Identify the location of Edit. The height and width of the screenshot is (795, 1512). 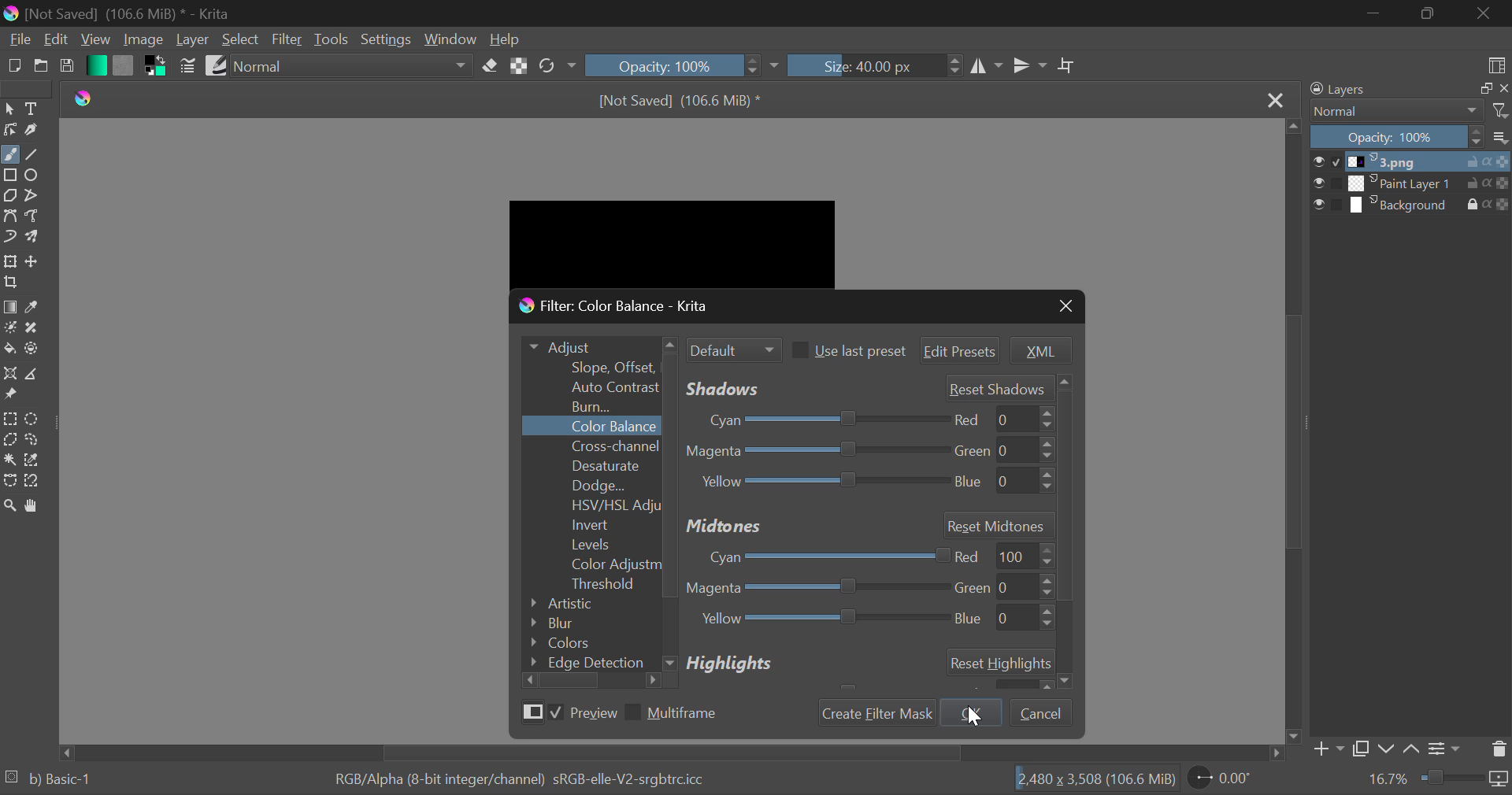
(54, 41).